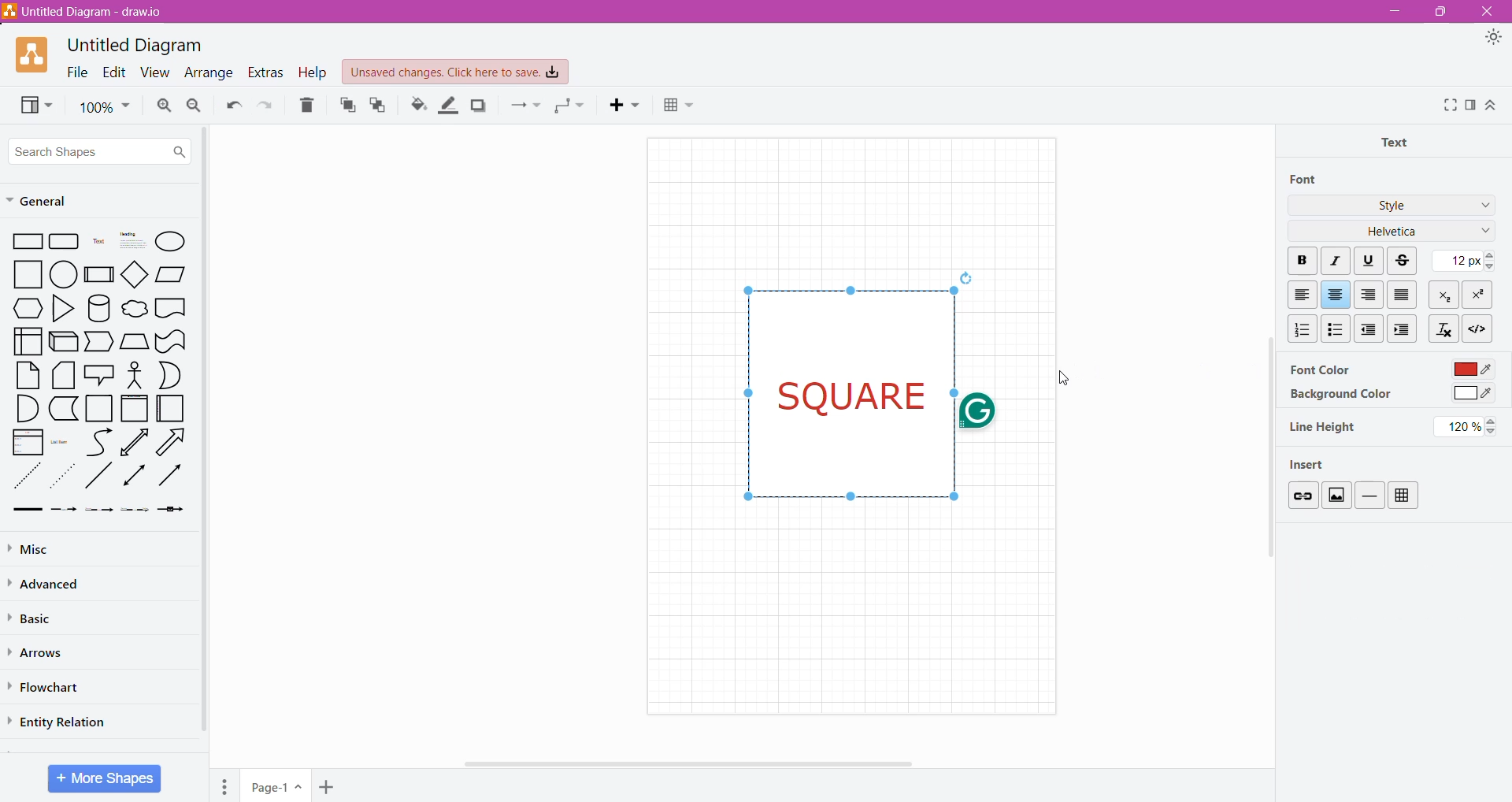  Describe the element at coordinates (195, 106) in the screenshot. I see `Zoom Out` at that location.